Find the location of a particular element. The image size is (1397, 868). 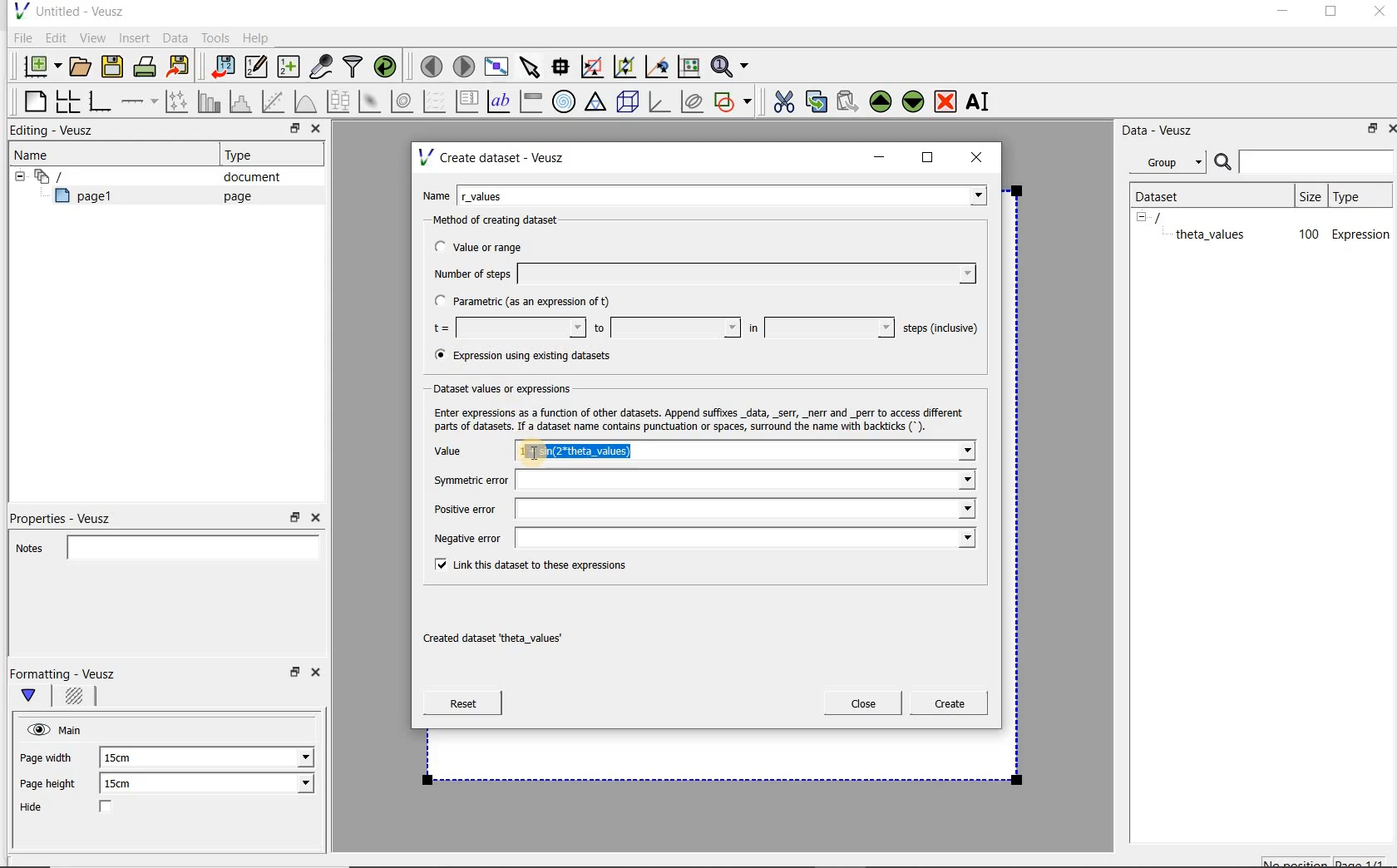

Cursor is located at coordinates (582, 451).